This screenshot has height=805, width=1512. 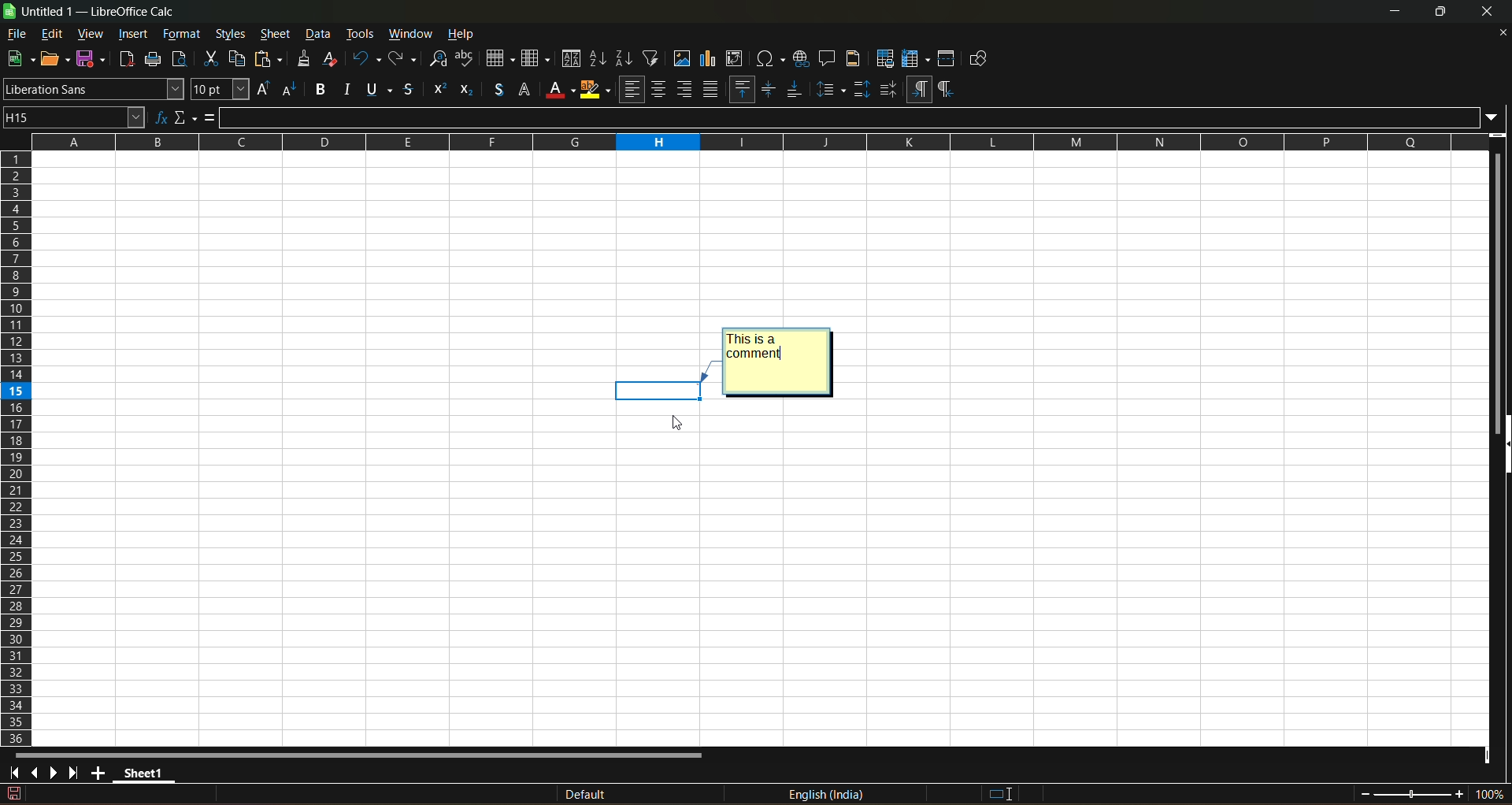 I want to click on define print area, so click(x=886, y=58).